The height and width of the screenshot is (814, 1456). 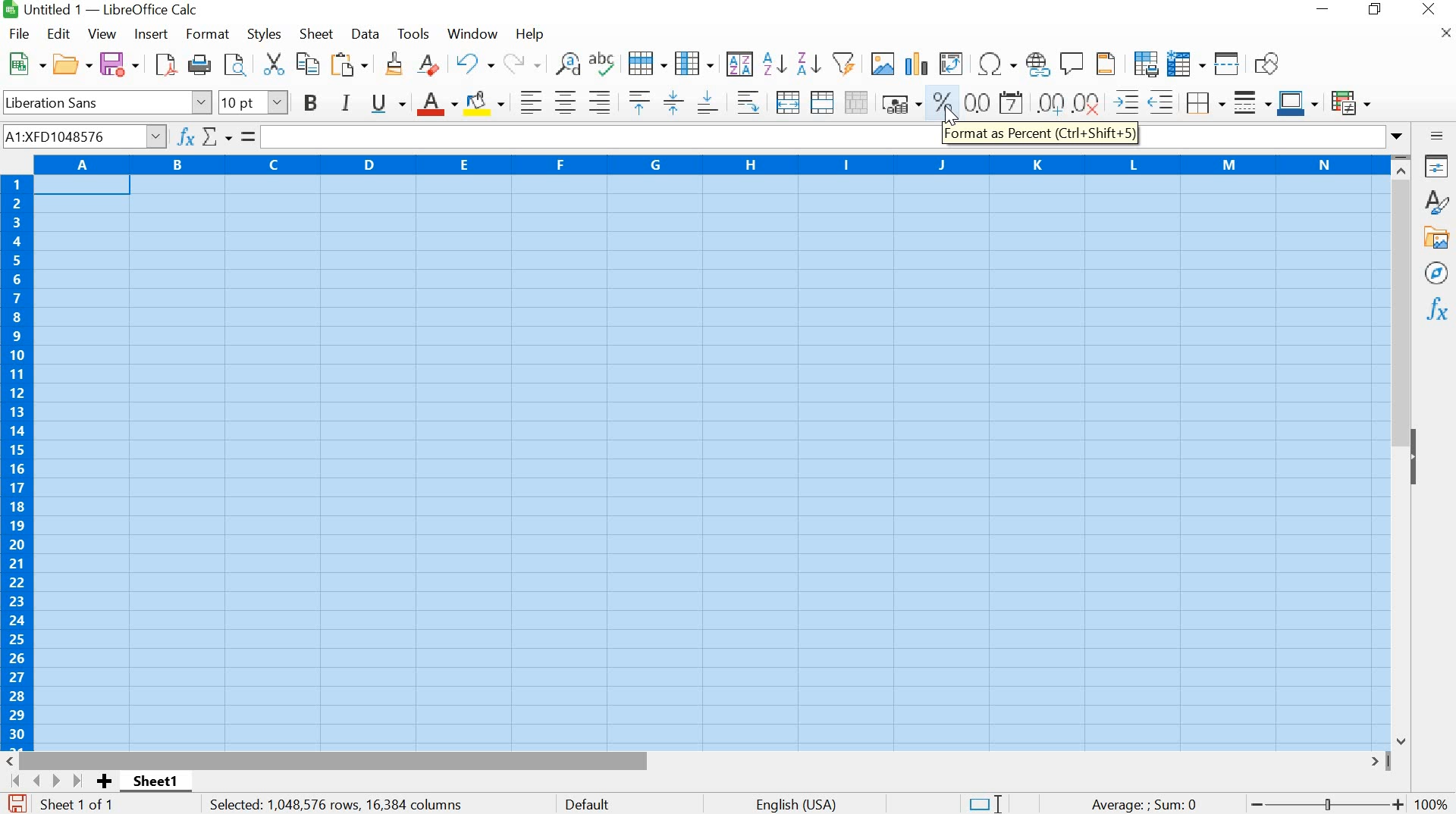 I want to click on Spelling, so click(x=601, y=64).